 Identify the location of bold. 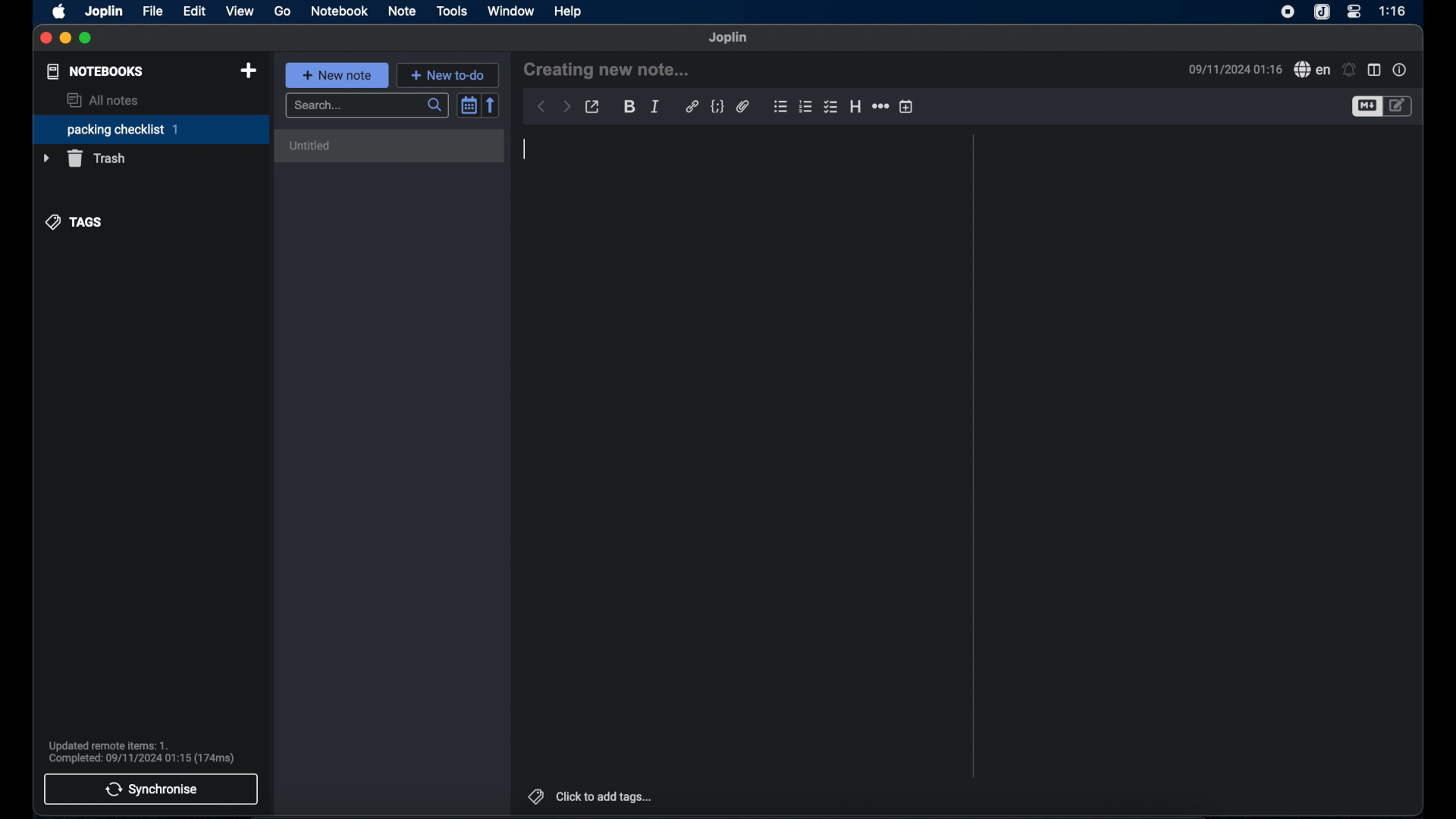
(629, 107).